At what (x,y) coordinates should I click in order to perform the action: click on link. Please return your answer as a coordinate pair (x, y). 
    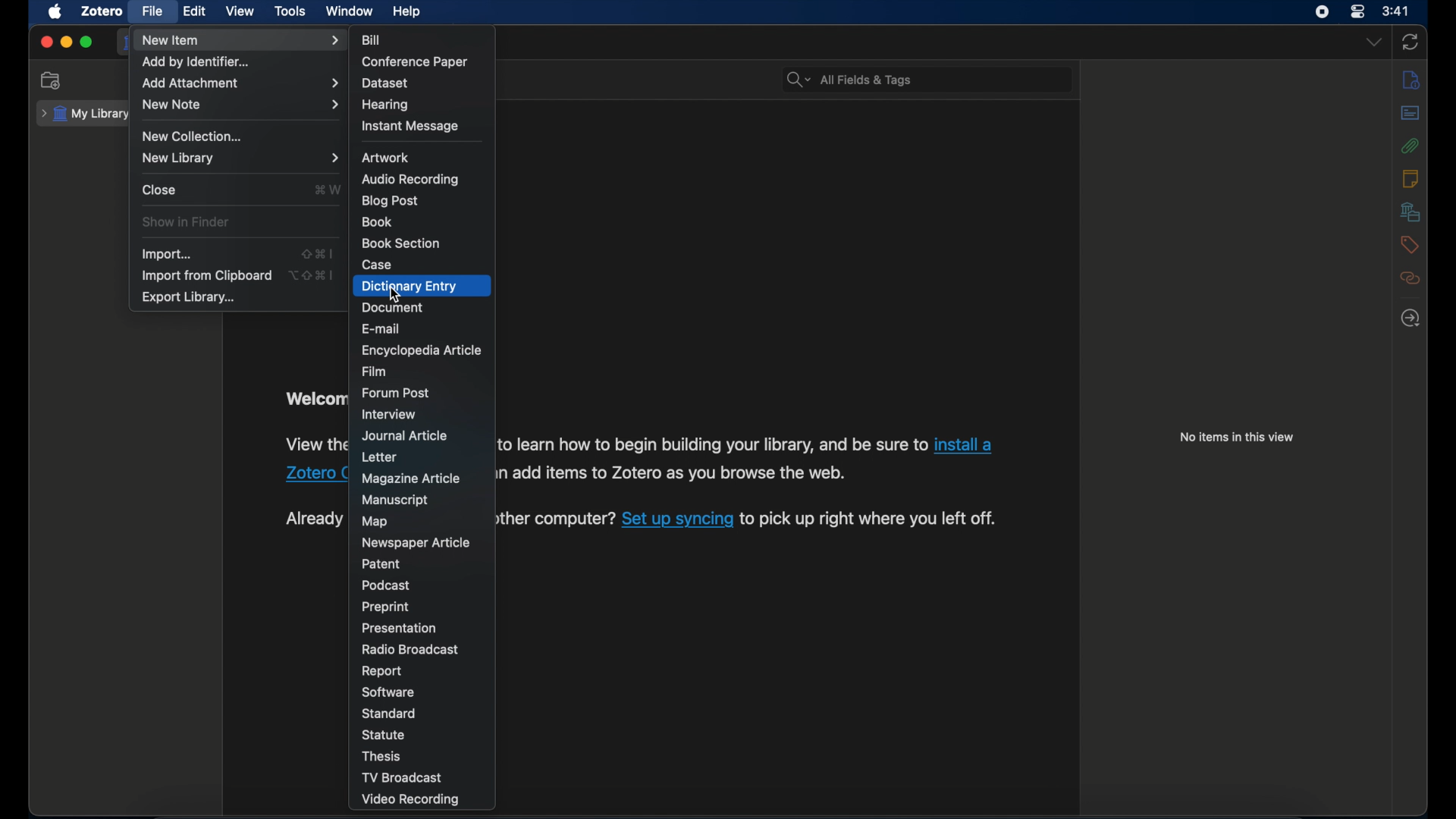
    Looking at the image, I should click on (963, 446).